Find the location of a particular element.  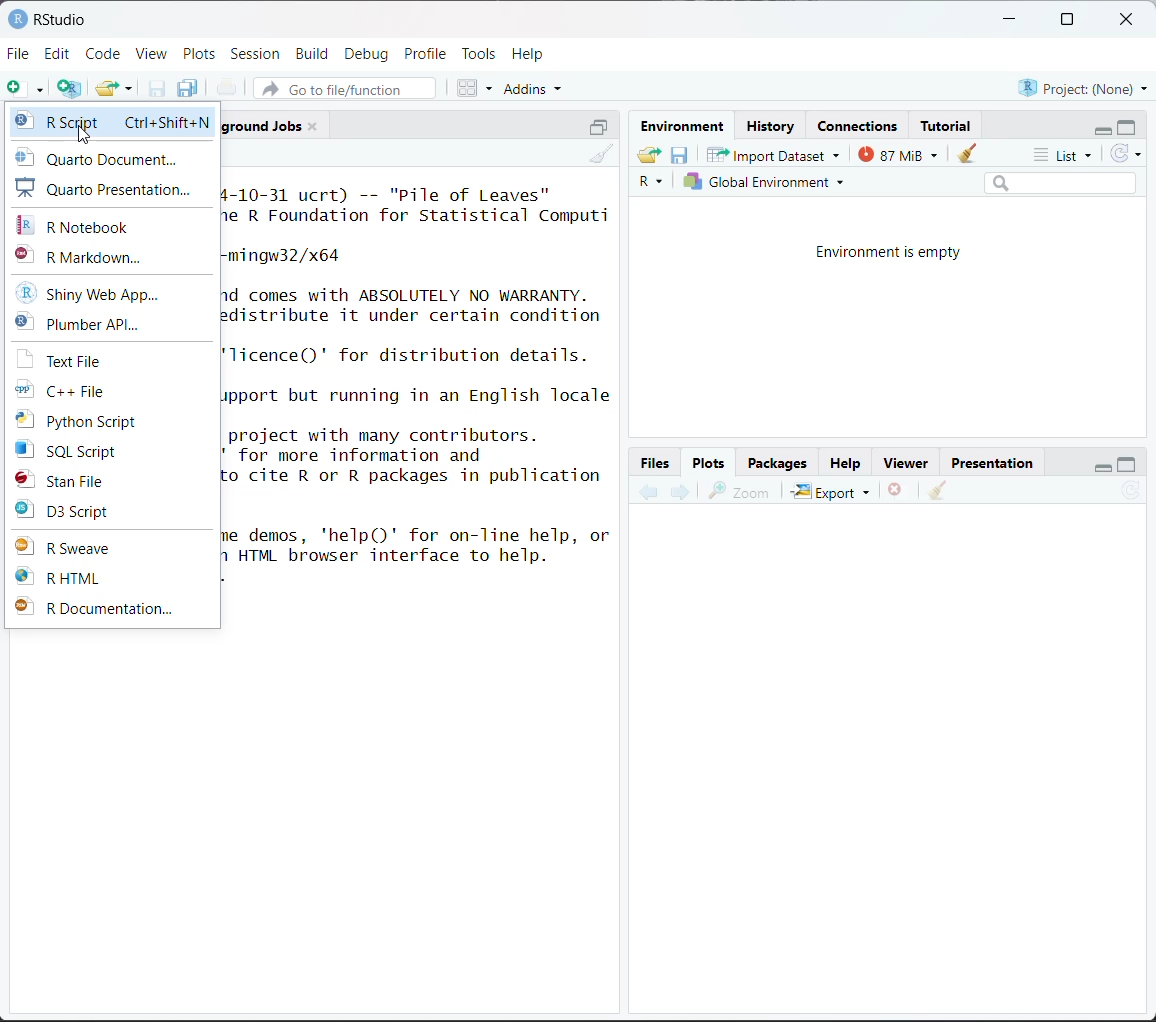

RStudio is located at coordinates (47, 18).